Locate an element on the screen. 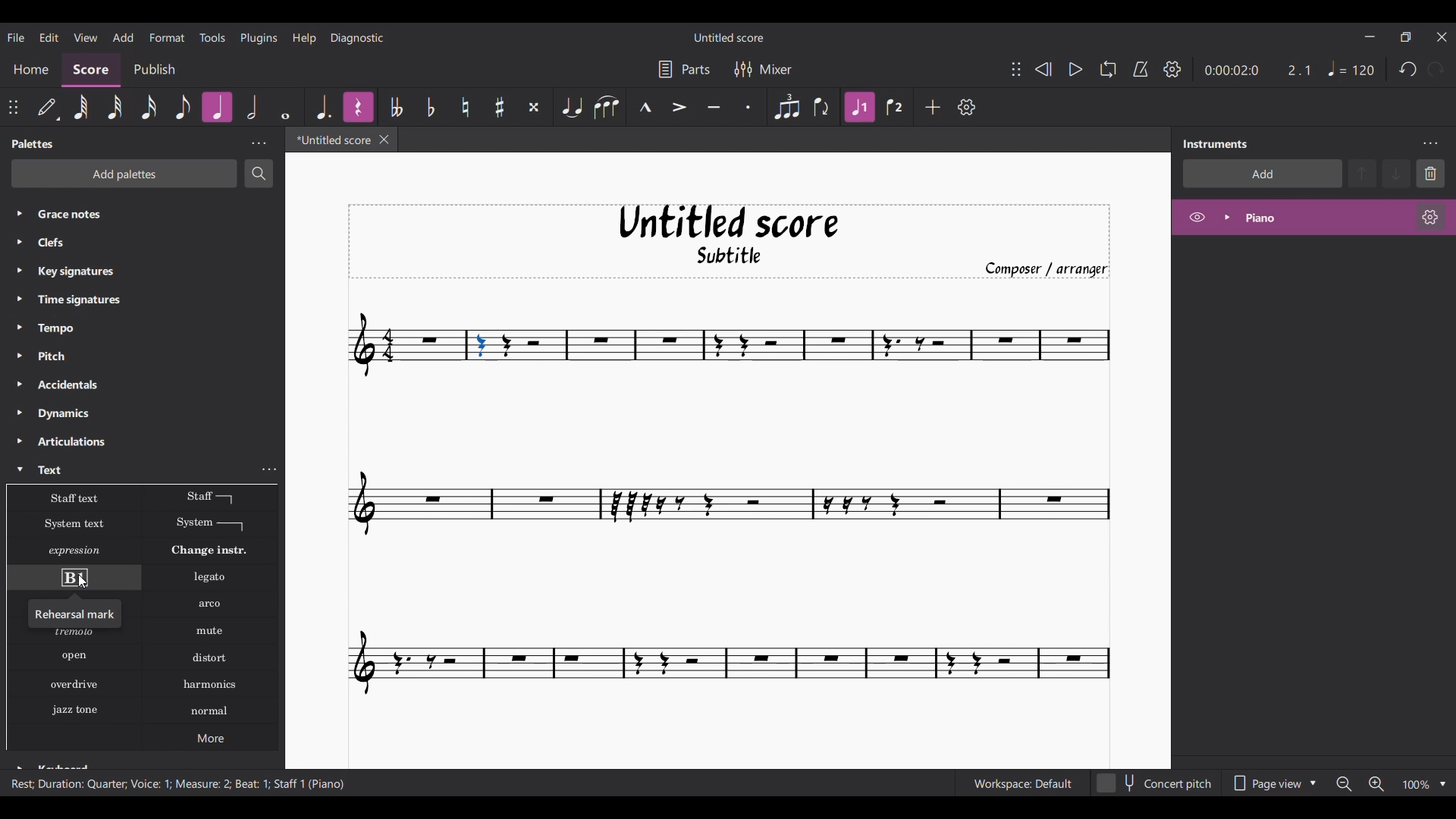 The image size is (1456, 819). Publish section is located at coordinates (154, 71).